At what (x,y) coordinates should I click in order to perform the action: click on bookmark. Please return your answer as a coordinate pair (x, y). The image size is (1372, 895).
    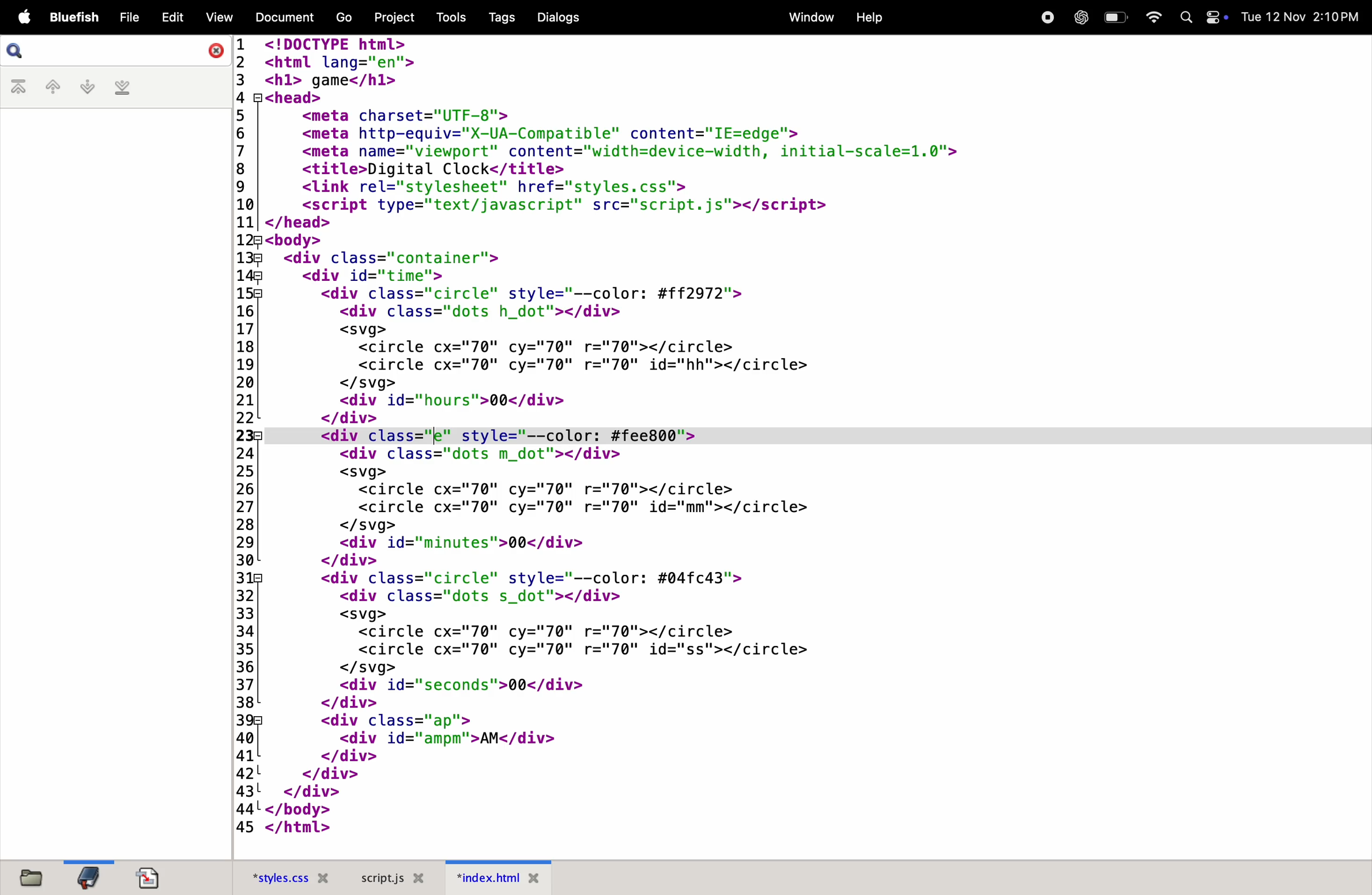
    Looking at the image, I should click on (86, 877).